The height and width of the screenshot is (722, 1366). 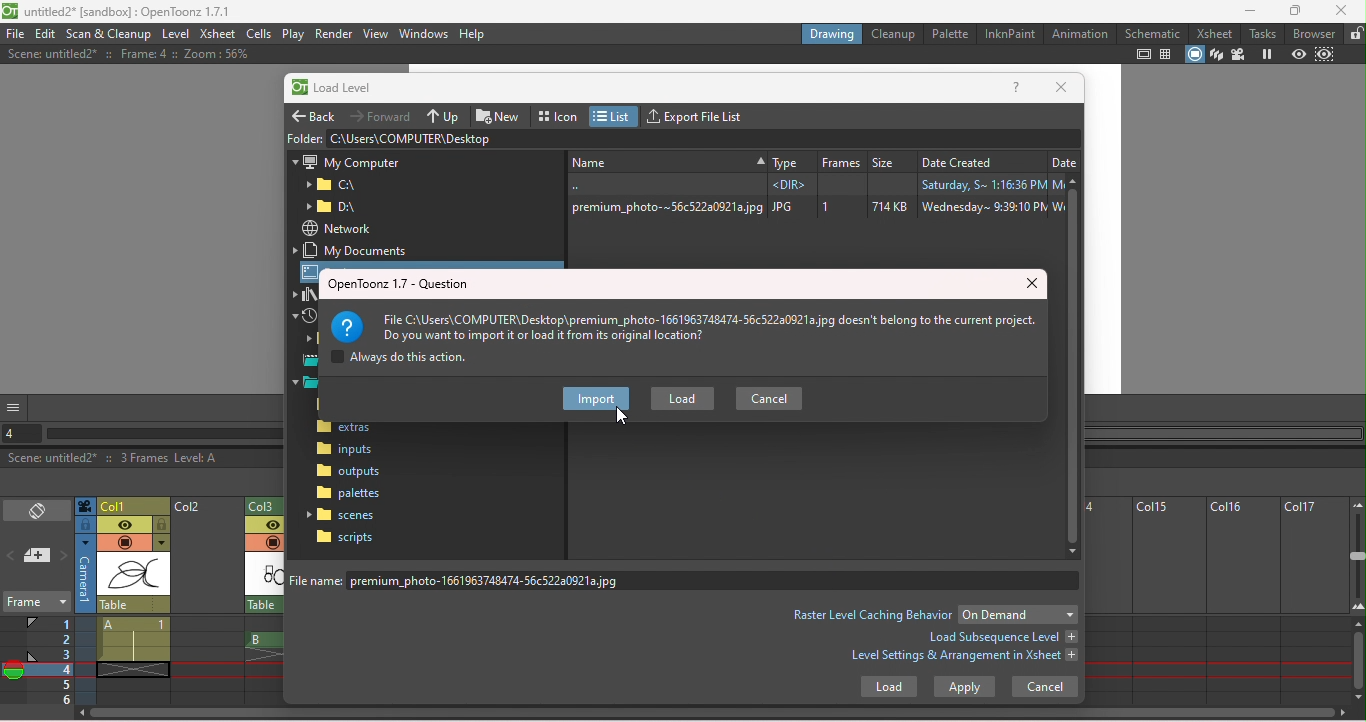 I want to click on My work documents, so click(x=356, y=250).